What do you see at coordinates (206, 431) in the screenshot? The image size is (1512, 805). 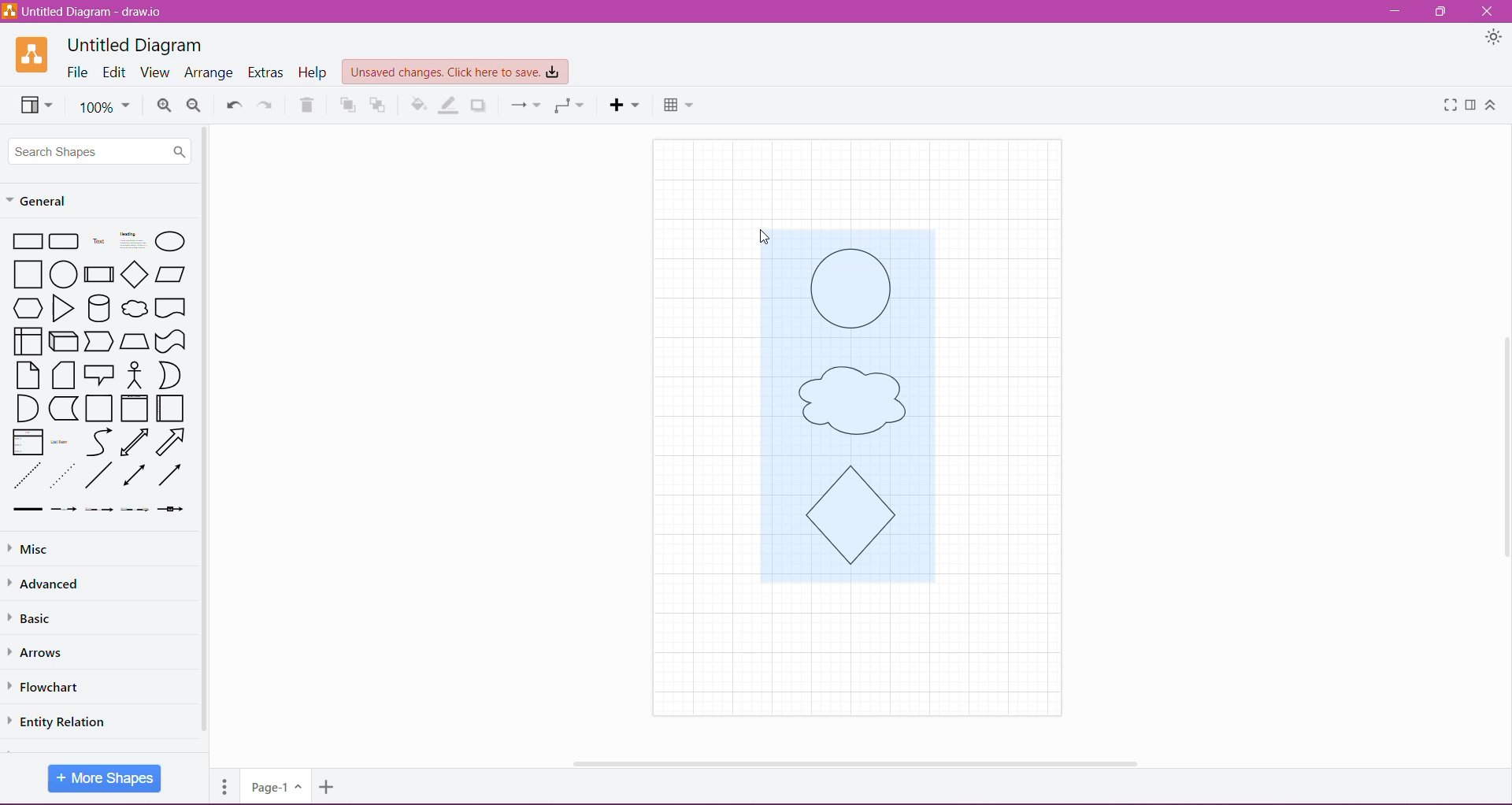 I see `Vertical Scroll Bar` at bounding box center [206, 431].